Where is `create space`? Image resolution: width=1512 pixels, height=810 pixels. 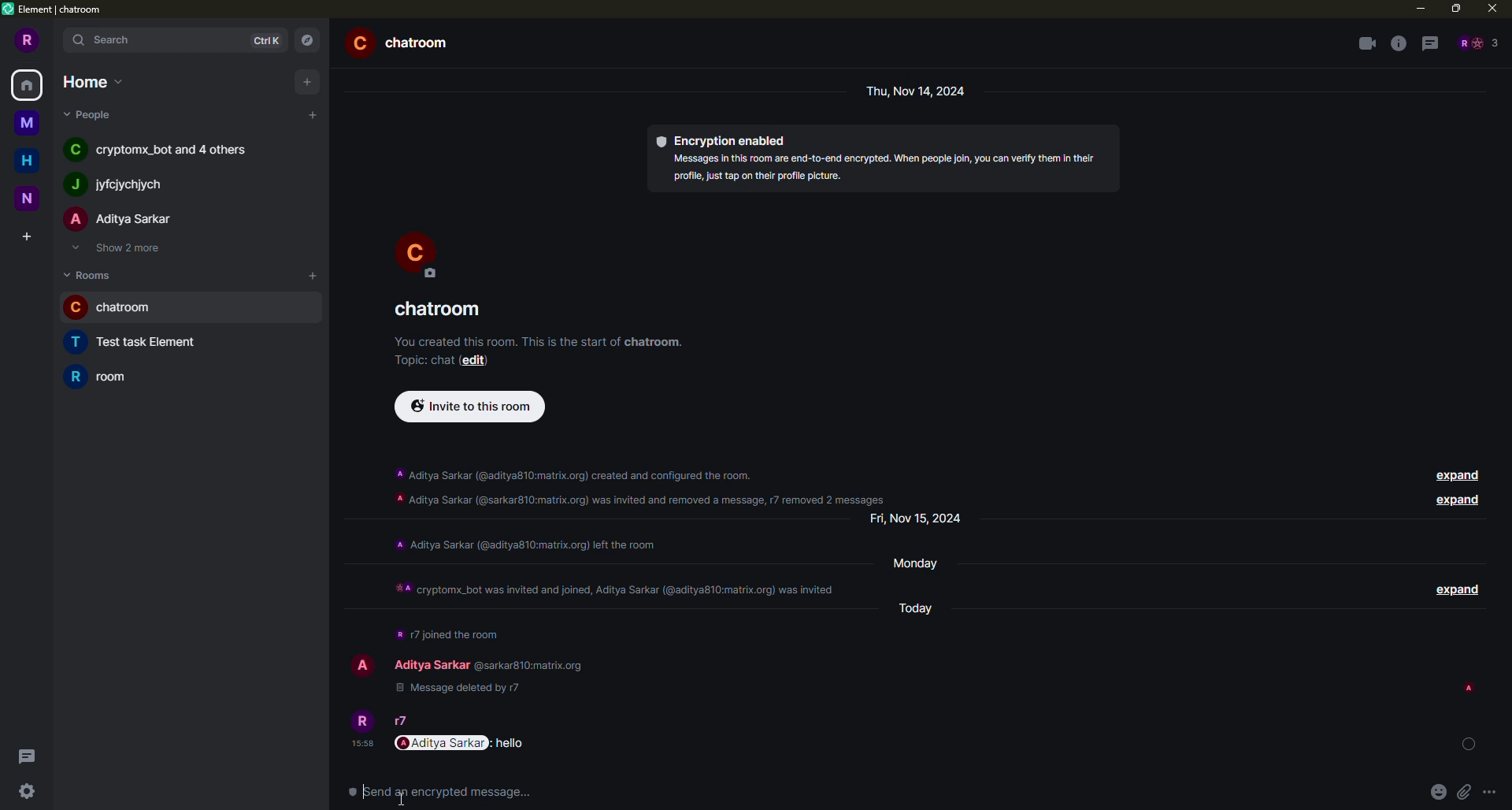
create space is located at coordinates (24, 236).